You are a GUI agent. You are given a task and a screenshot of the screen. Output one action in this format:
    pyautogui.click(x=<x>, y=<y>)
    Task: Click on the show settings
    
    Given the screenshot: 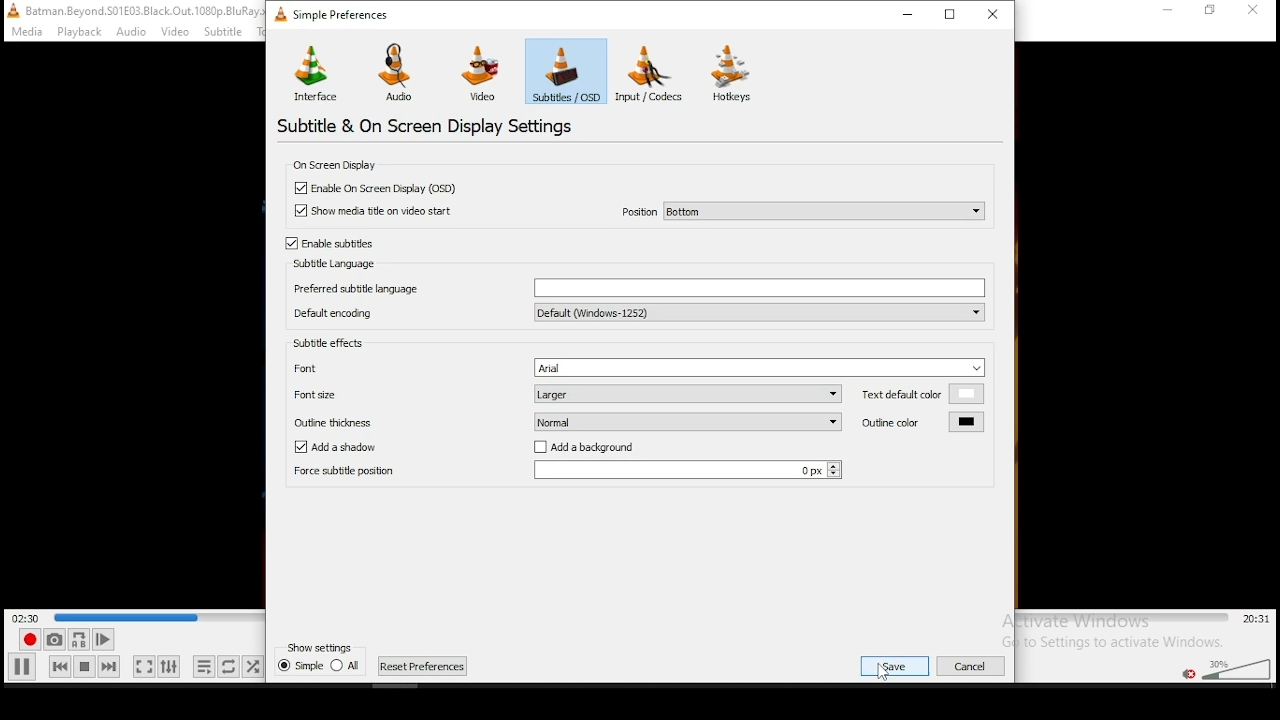 What is the action you would take?
    pyautogui.click(x=322, y=647)
    